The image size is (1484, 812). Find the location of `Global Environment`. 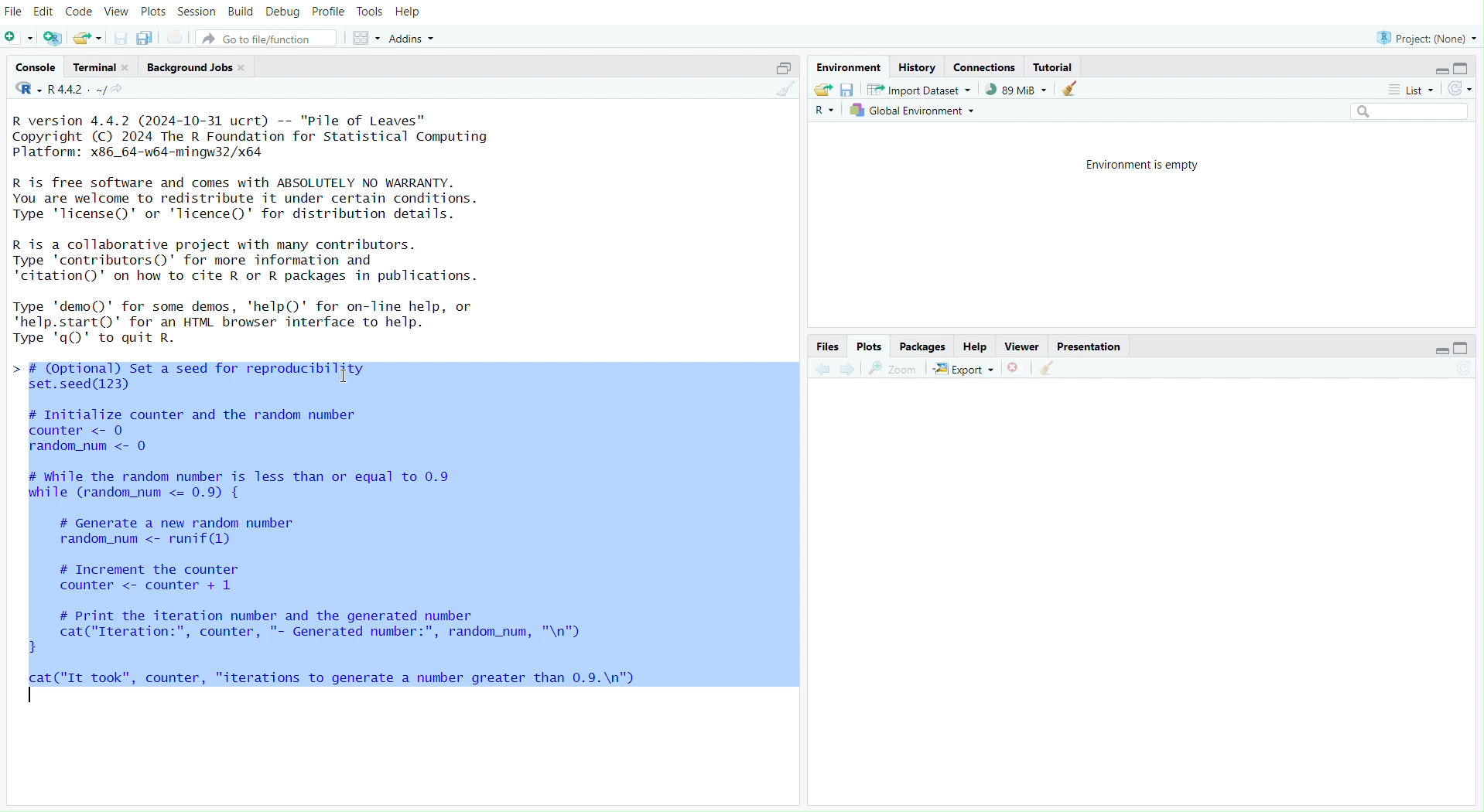

Global Environment is located at coordinates (915, 111).